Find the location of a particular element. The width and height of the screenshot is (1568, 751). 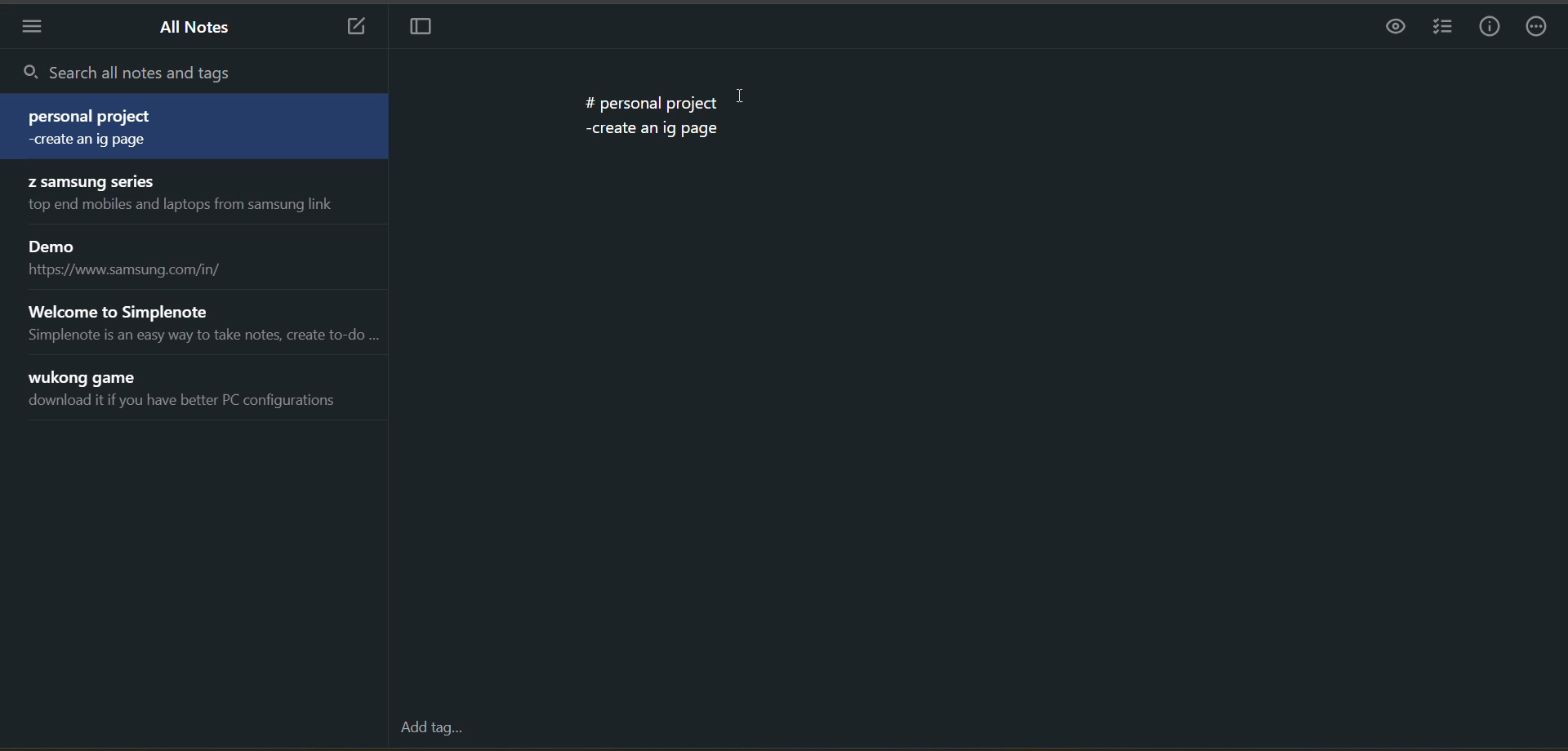

all notes is located at coordinates (195, 29).